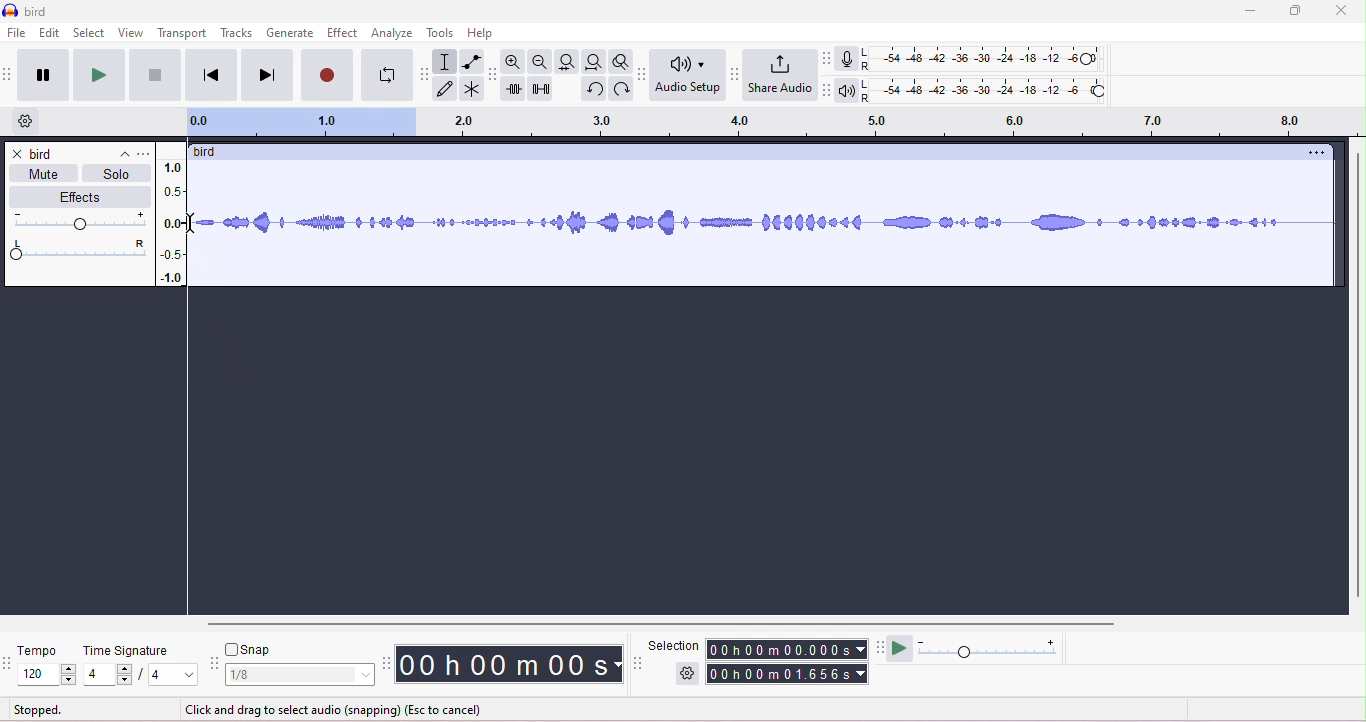  I want to click on draw, so click(446, 89).